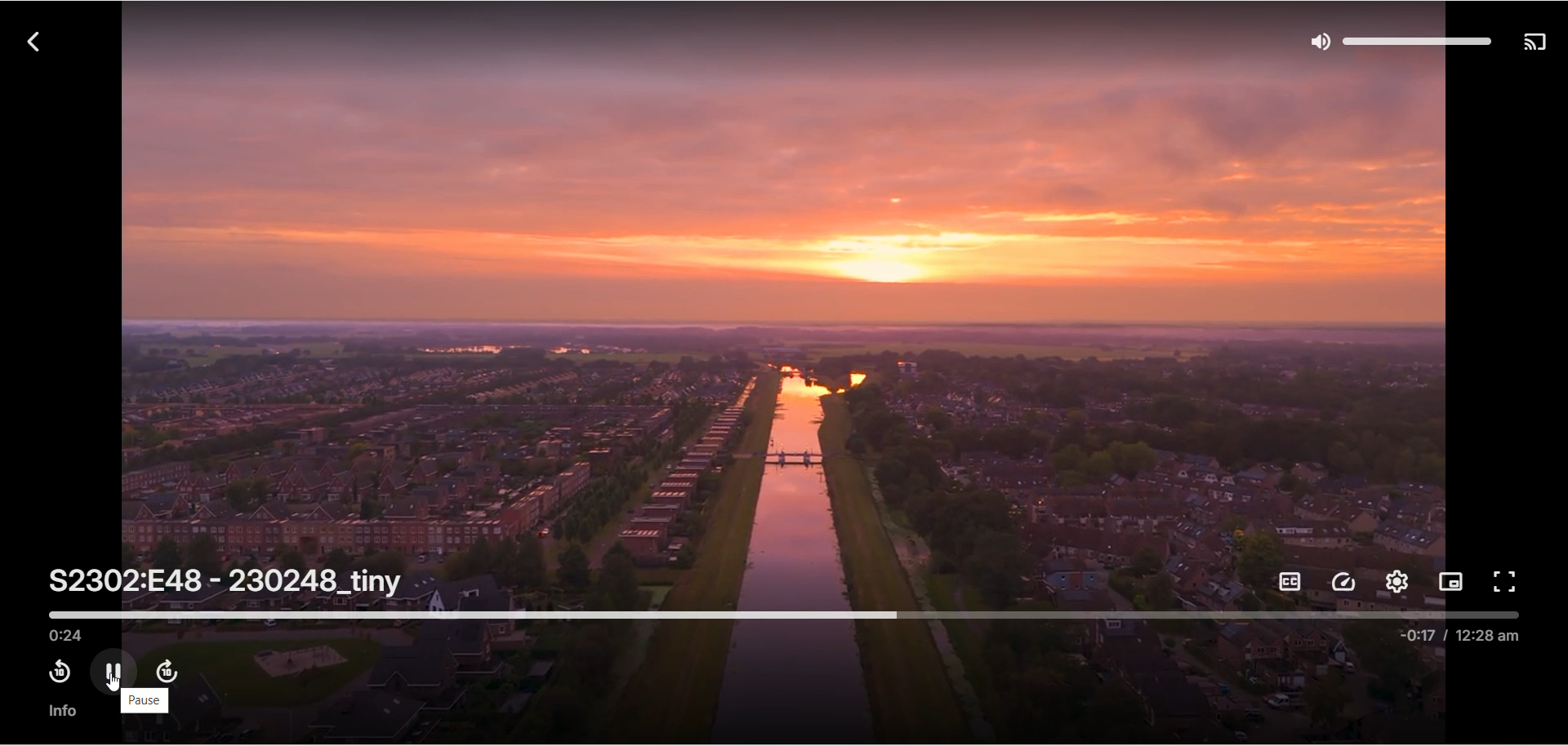 This screenshot has height=746, width=1568. What do you see at coordinates (1452, 580) in the screenshot?
I see `picture in picture` at bounding box center [1452, 580].